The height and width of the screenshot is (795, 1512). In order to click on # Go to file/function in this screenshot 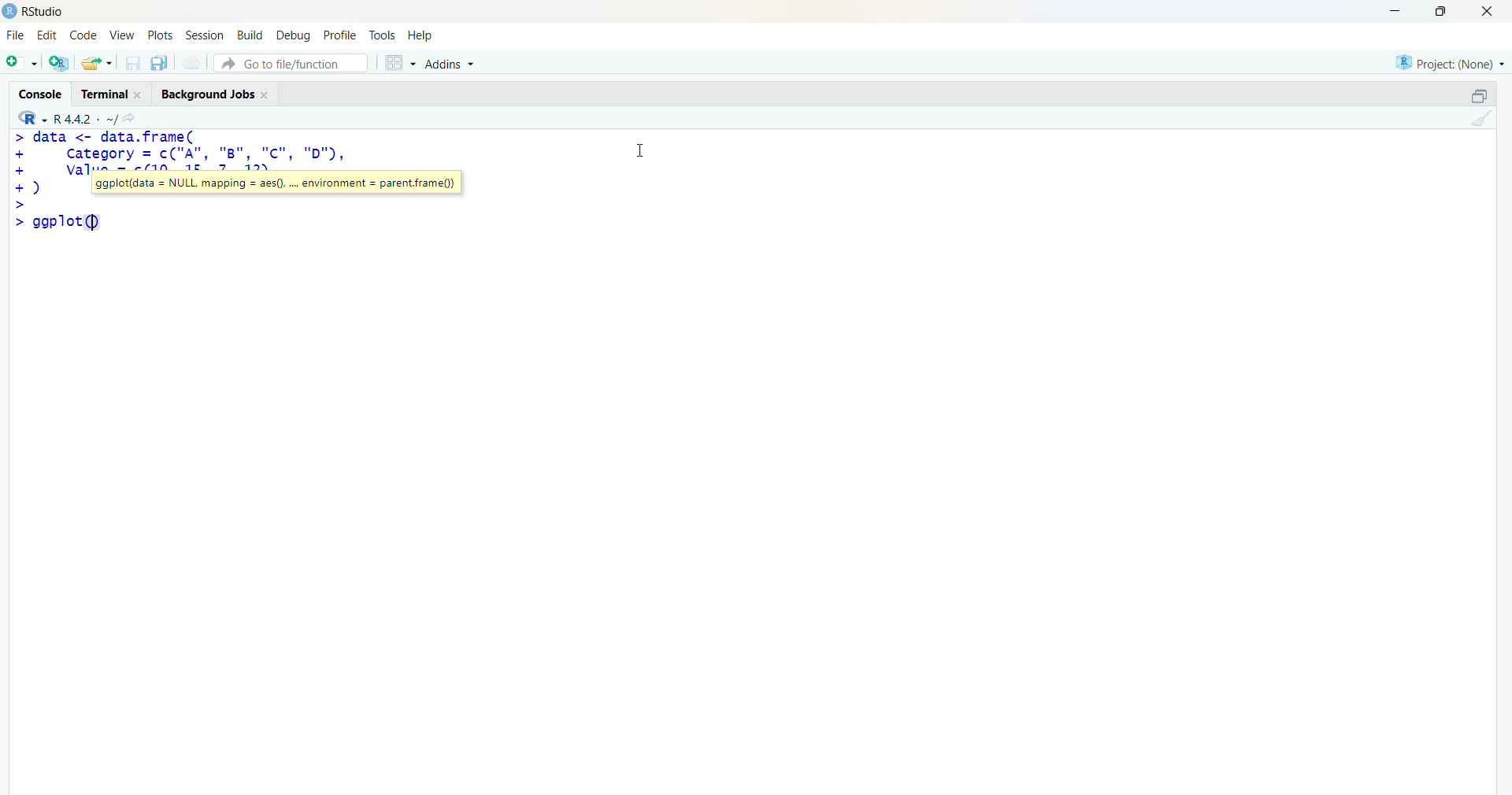, I will do `click(291, 63)`.